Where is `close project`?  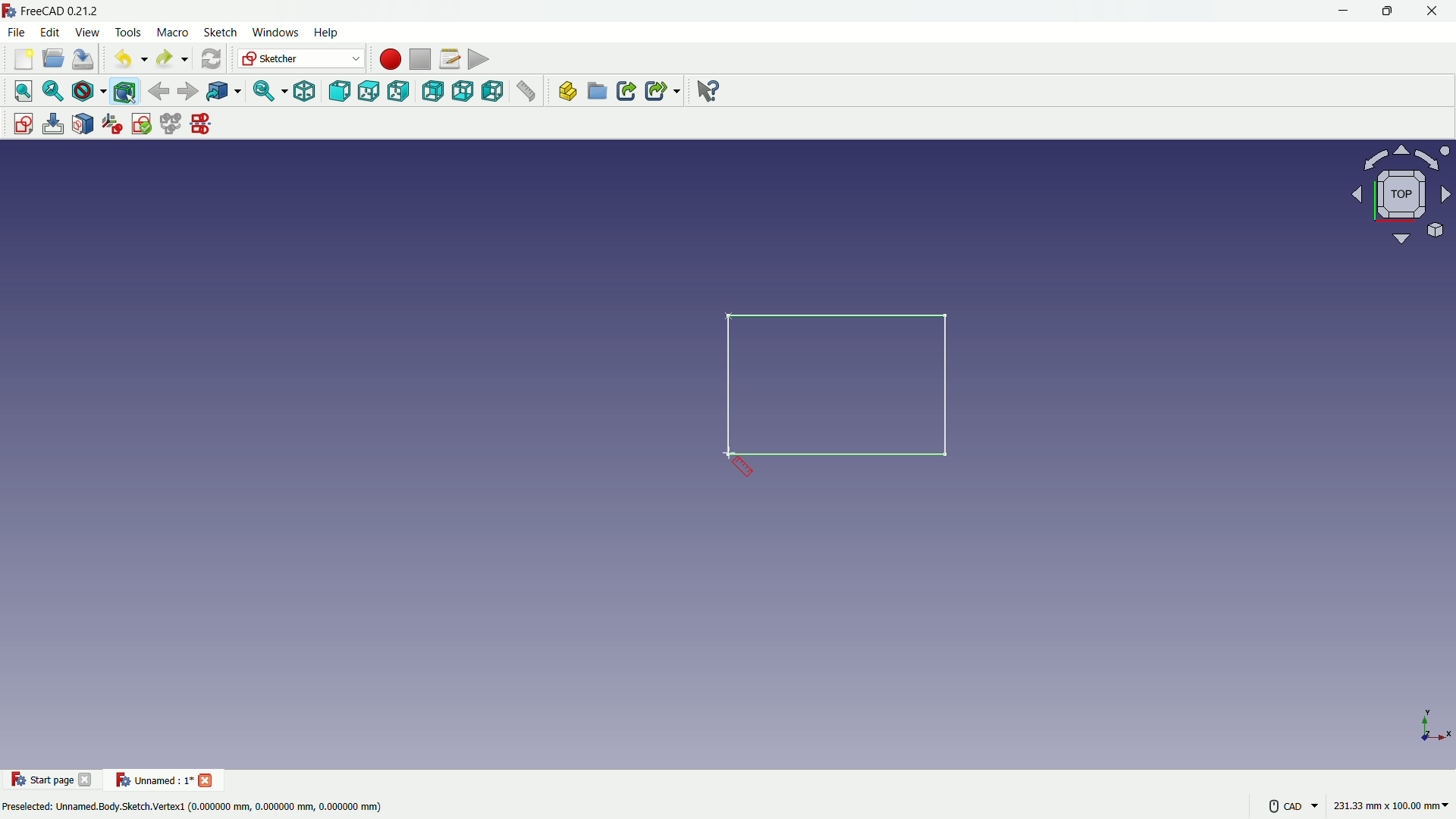 close project is located at coordinates (208, 779).